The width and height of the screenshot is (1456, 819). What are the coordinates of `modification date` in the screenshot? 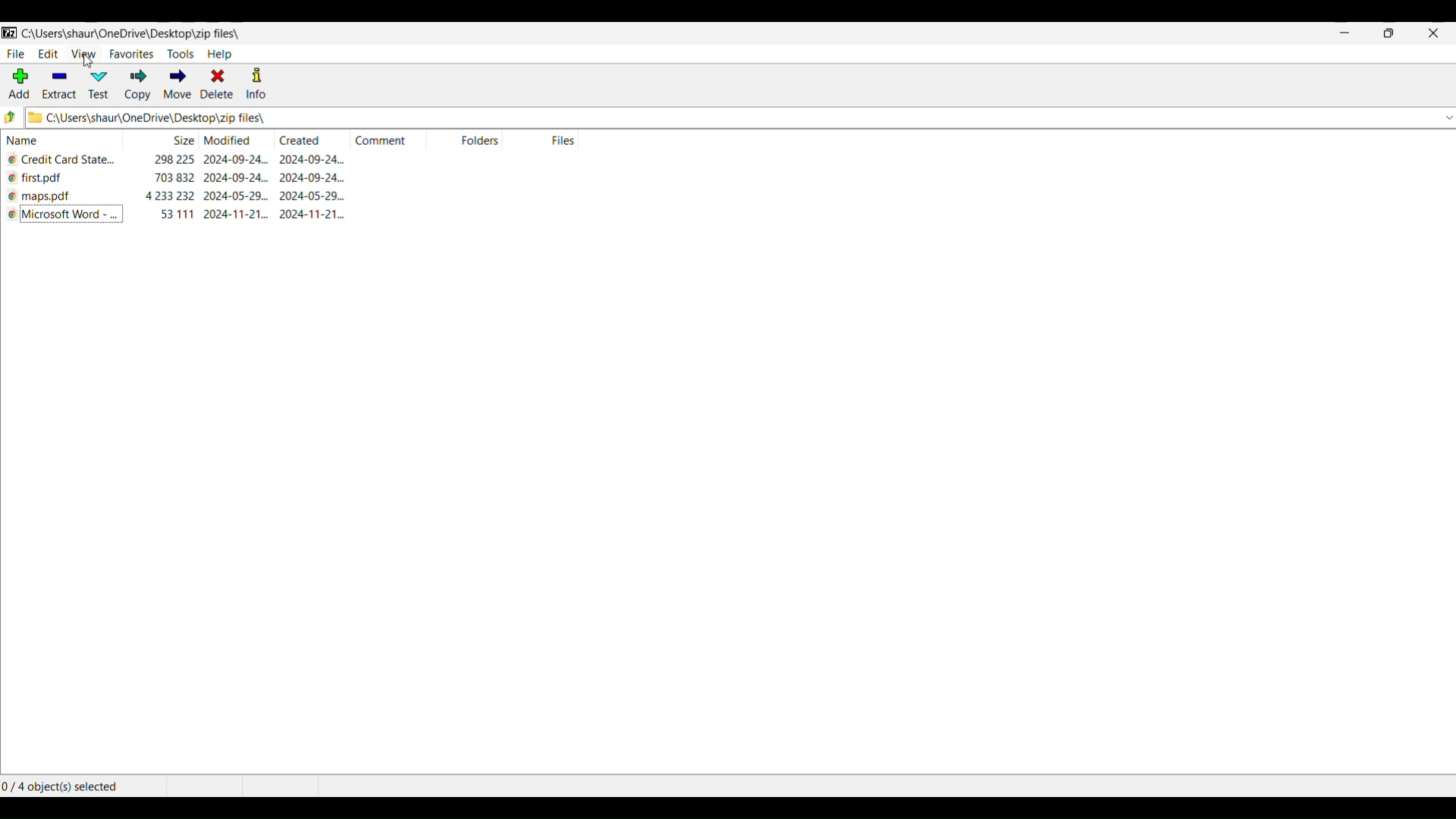 It's located at (238, 198).